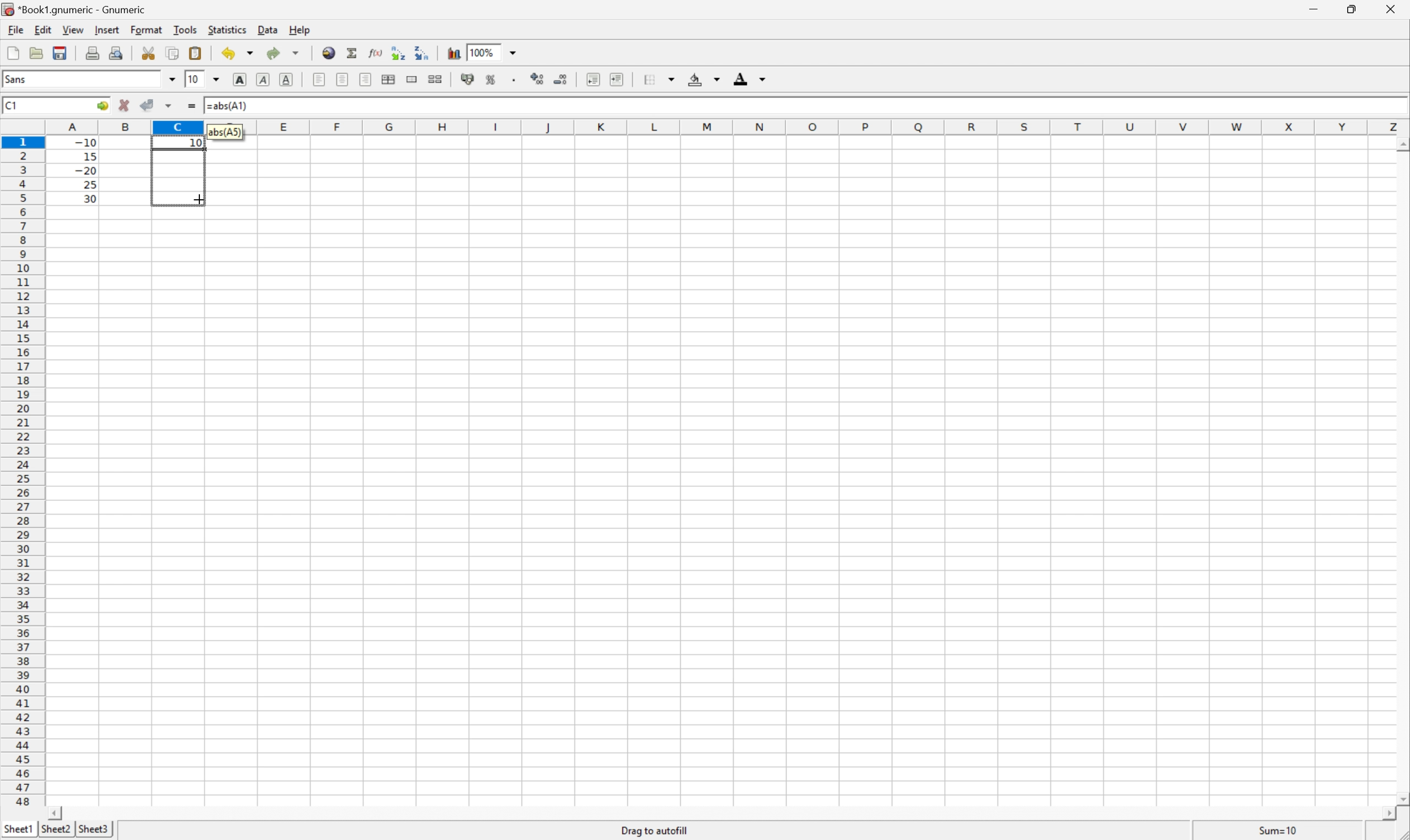 The width and height of the screenshot is (1410, 840). Describe the element at coordinates (318, 78) in the screenshot. I see `Align left` at that location.